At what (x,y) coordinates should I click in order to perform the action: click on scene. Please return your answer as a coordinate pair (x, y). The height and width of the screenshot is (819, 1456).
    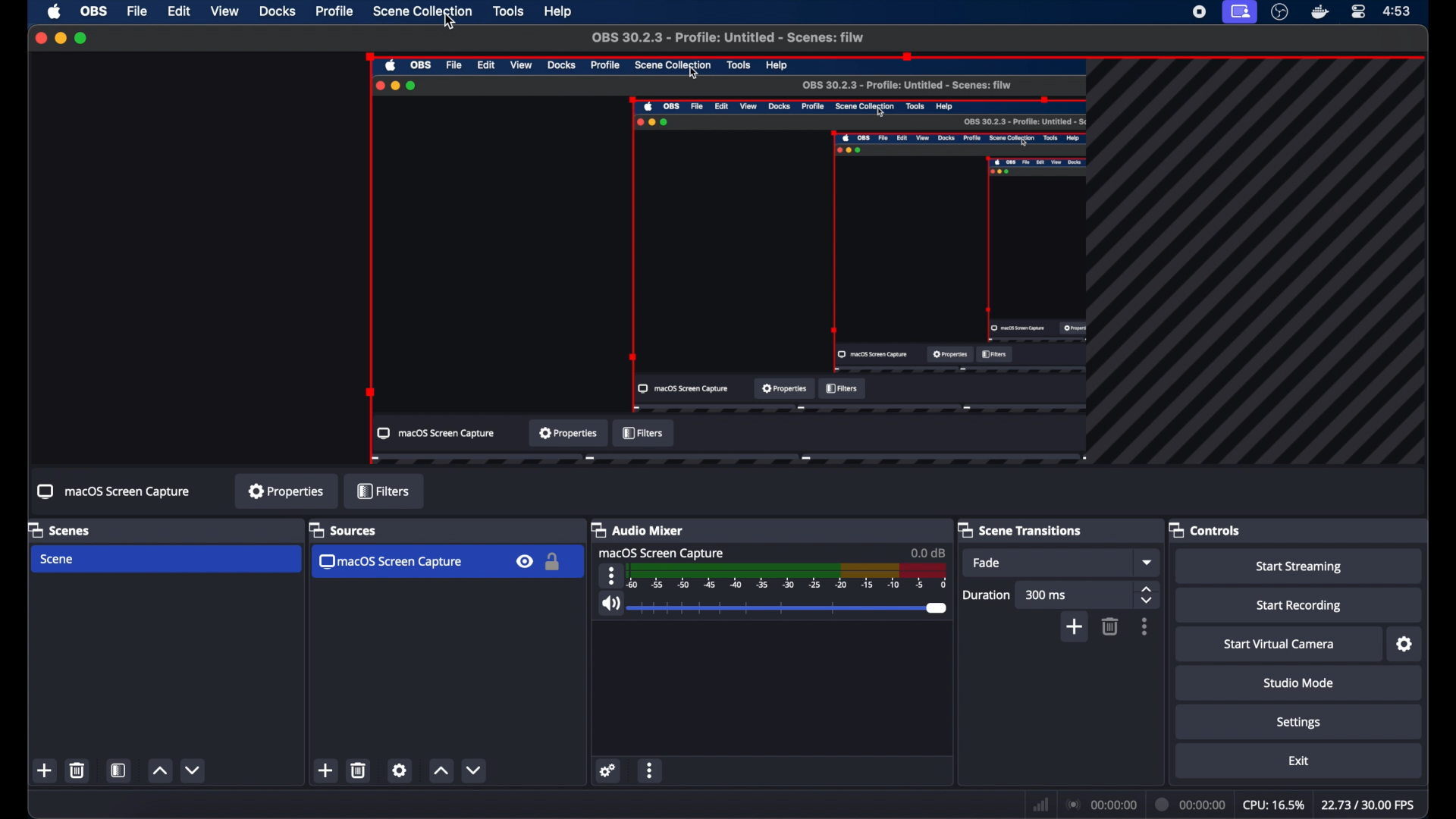
    Looking at the image, I should click on (61, 560).